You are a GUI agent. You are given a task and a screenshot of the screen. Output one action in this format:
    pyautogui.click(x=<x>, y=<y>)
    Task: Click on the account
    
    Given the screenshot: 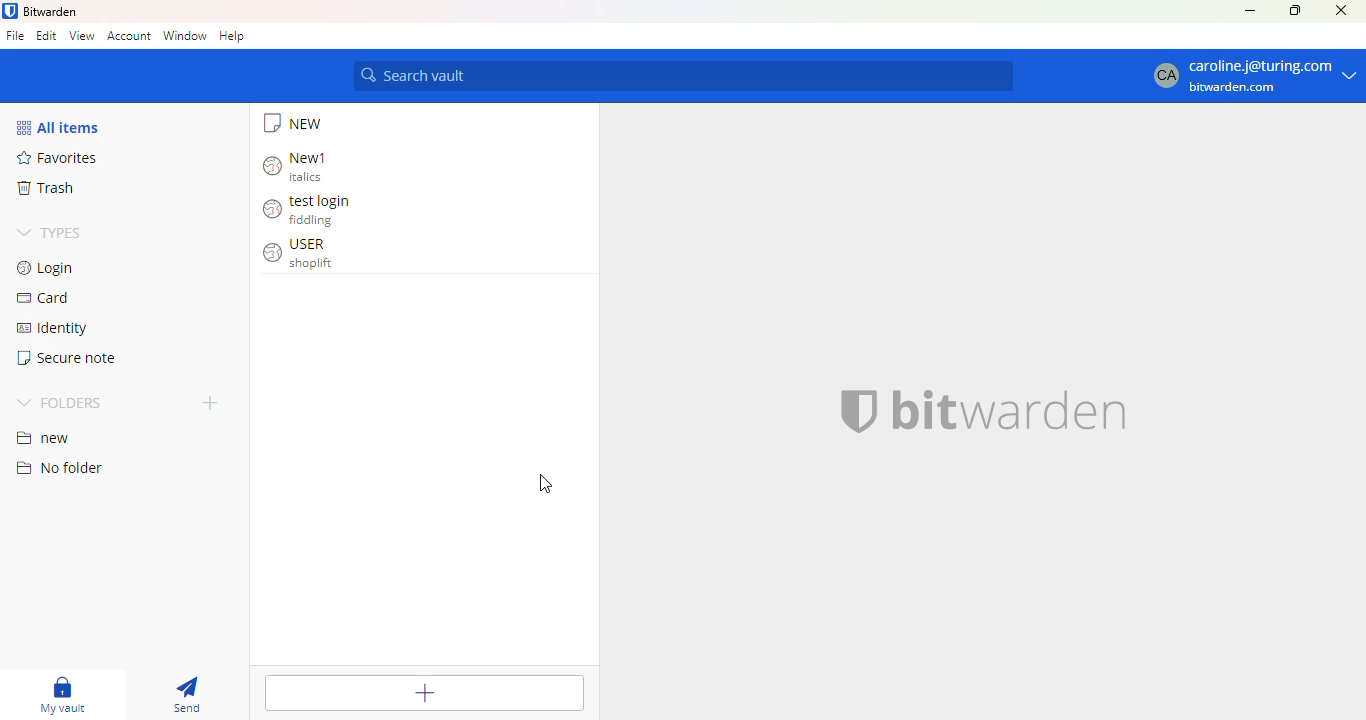 What is the action you would take?
    pyautogui.click(x=129, y=37)
    